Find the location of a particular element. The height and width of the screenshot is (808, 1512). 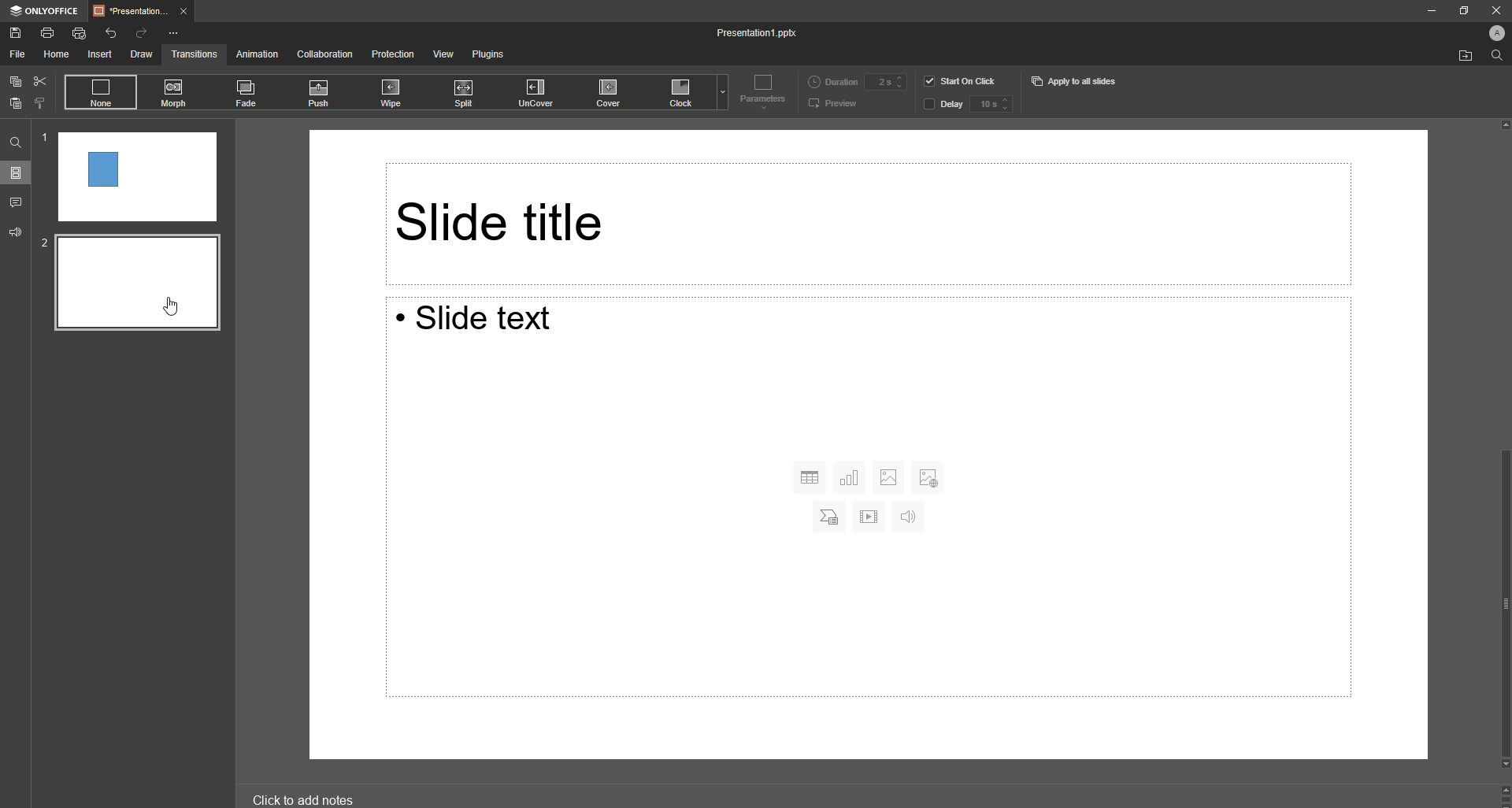

Duration is located at coordinates (826, 80).